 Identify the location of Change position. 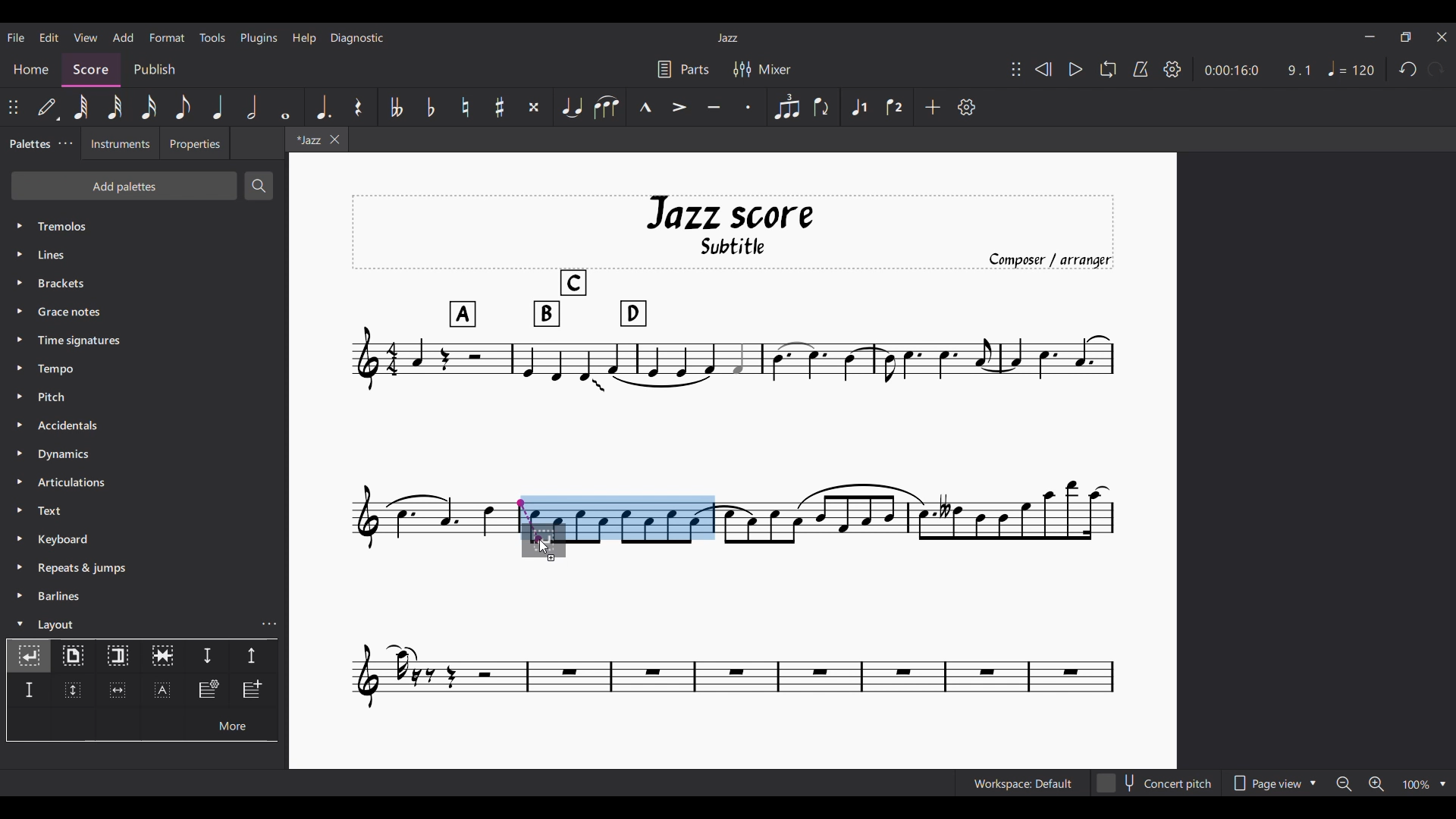
(1016, 69).